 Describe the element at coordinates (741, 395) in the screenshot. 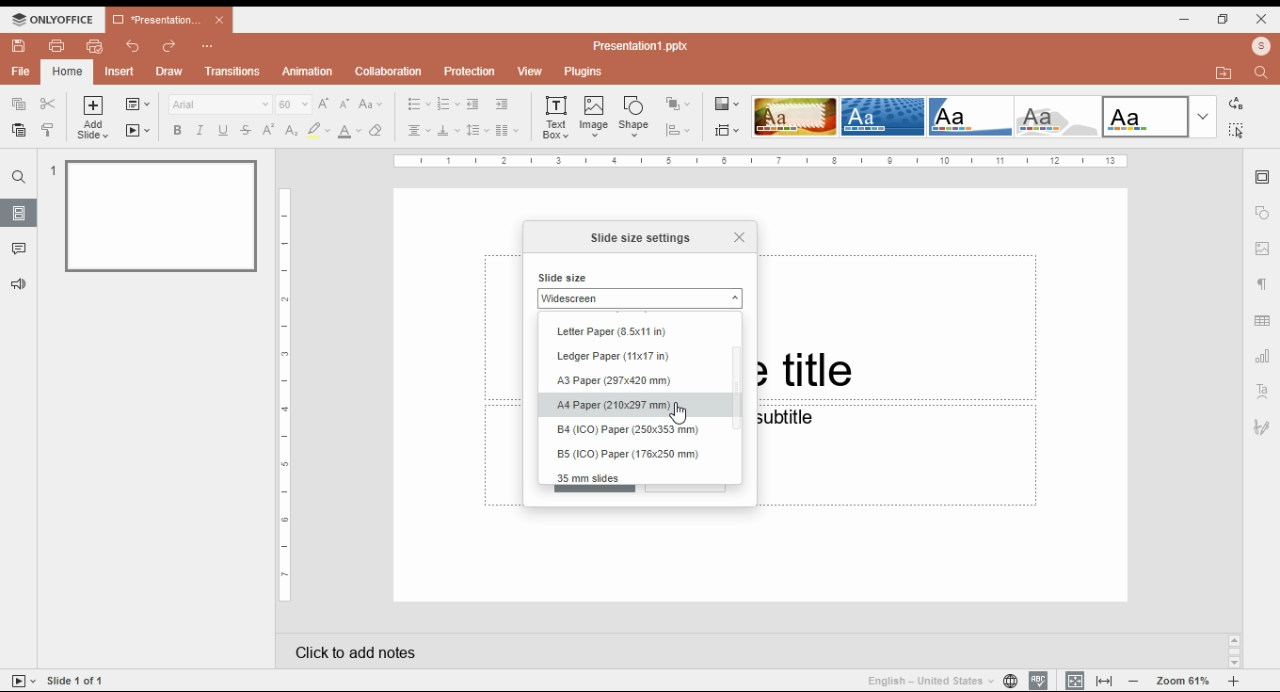

I see `scroll bar` at that location.